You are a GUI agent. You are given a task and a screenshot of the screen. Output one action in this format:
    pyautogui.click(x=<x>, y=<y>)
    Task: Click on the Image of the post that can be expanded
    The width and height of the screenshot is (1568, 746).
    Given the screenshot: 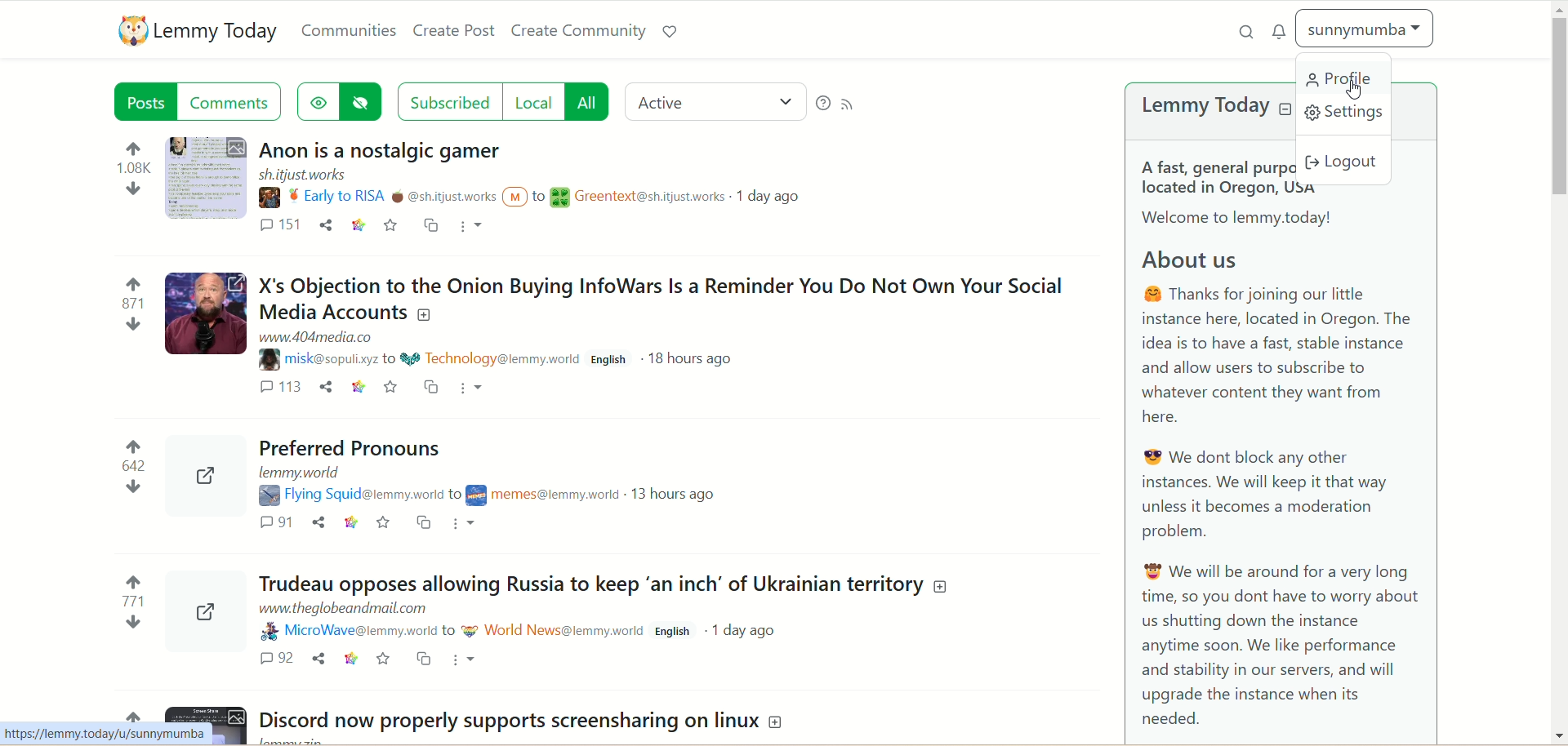 What is the action you would take?
    pyautogui.click(x=208, y=174)
    